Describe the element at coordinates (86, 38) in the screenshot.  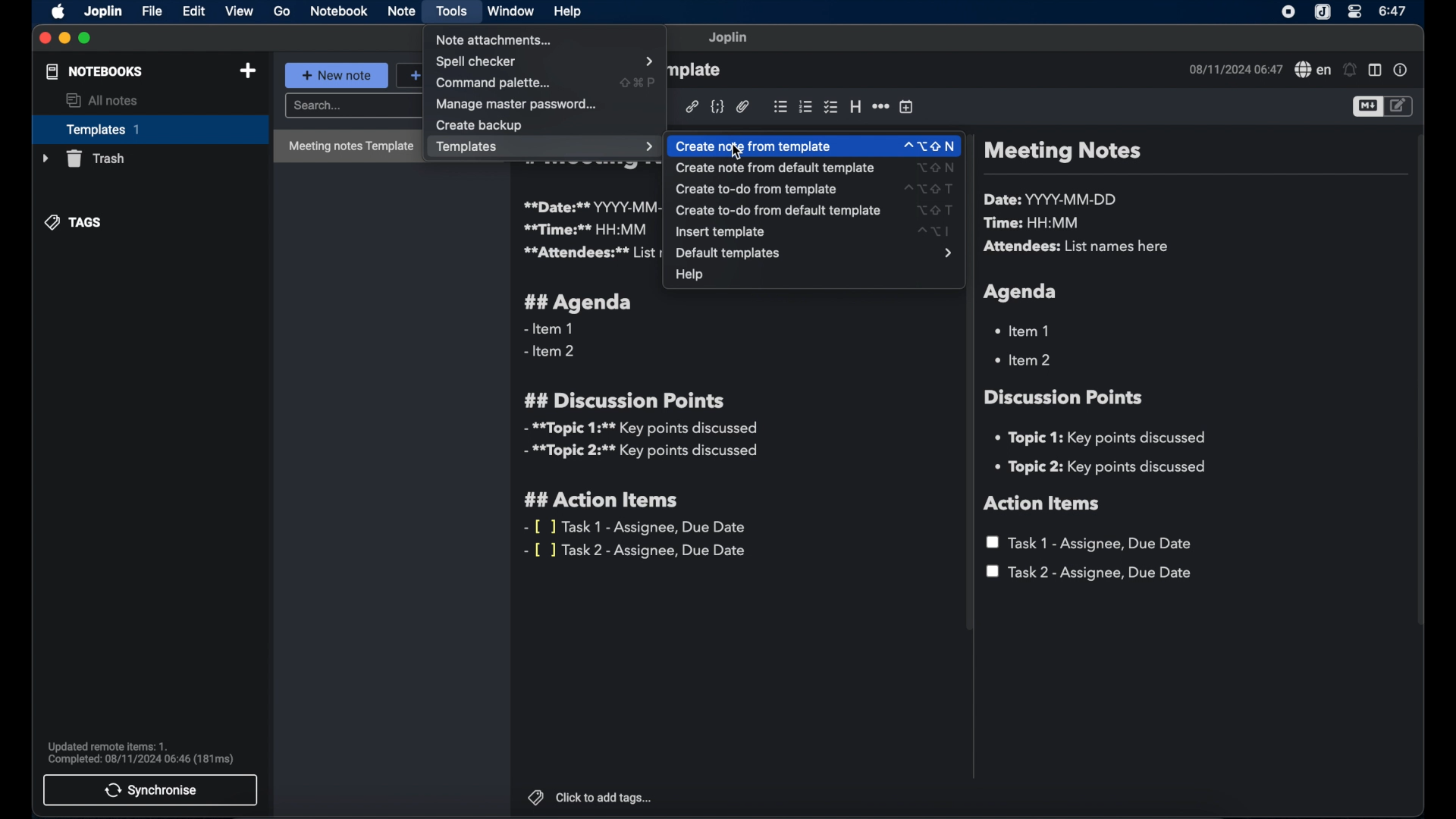
I see `maximize` at that location.